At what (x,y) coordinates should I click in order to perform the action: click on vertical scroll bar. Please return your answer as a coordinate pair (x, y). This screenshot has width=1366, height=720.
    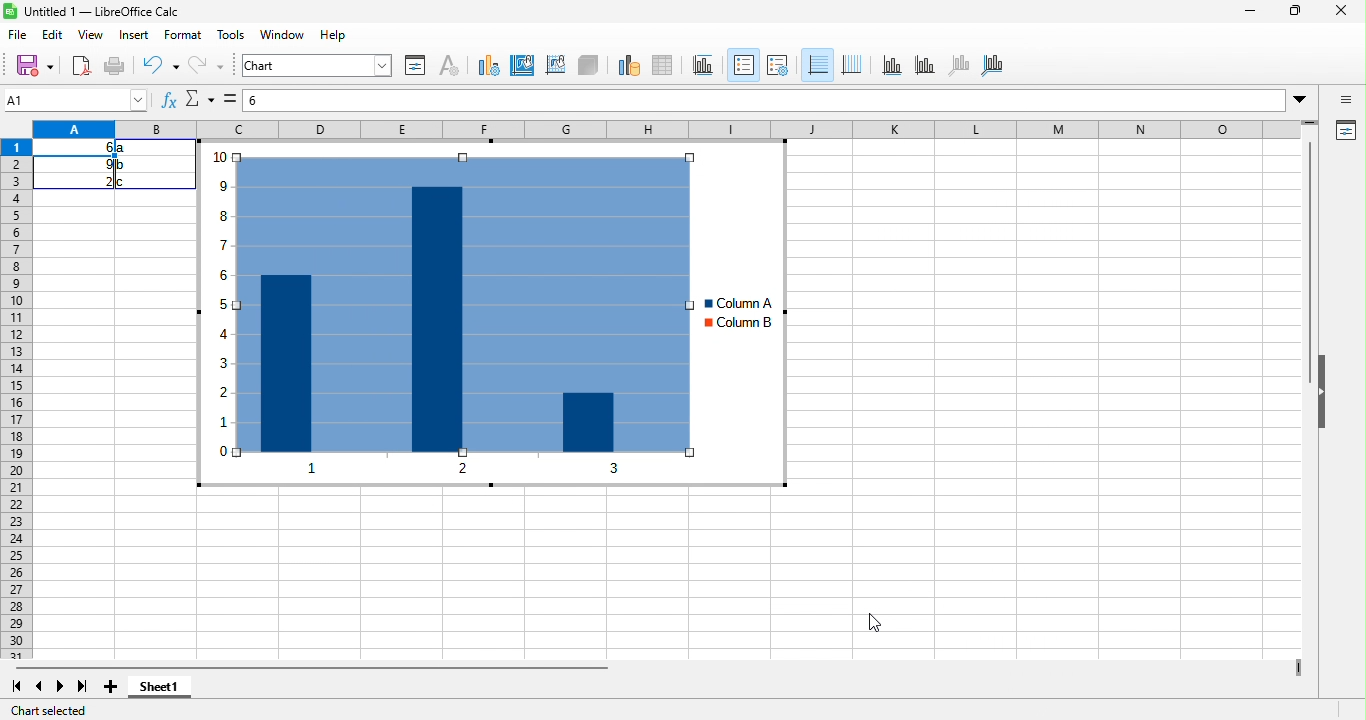
    Looking at the image, I should click on (1312, 267).